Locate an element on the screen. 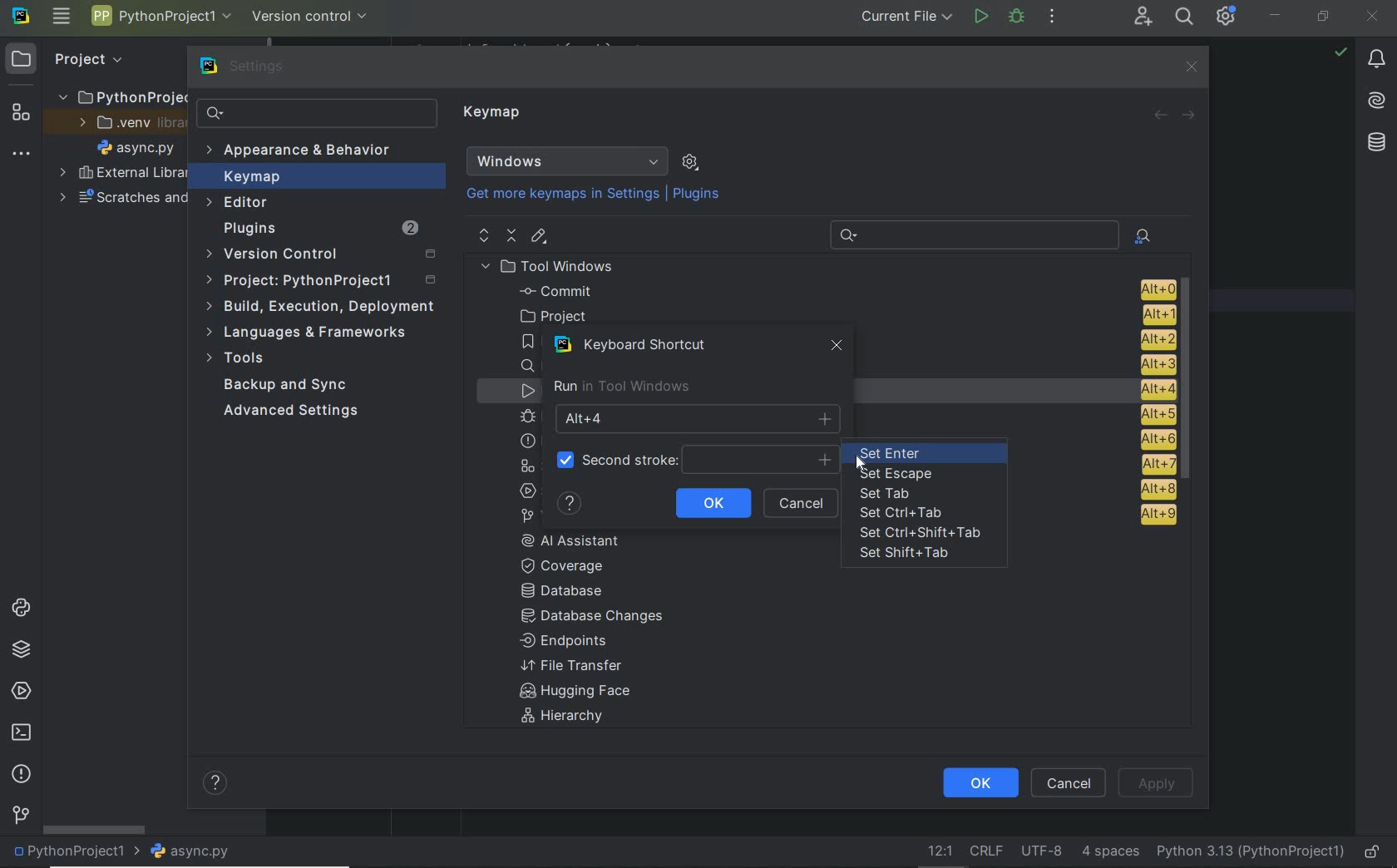  help is located at coordinates (570, 504).